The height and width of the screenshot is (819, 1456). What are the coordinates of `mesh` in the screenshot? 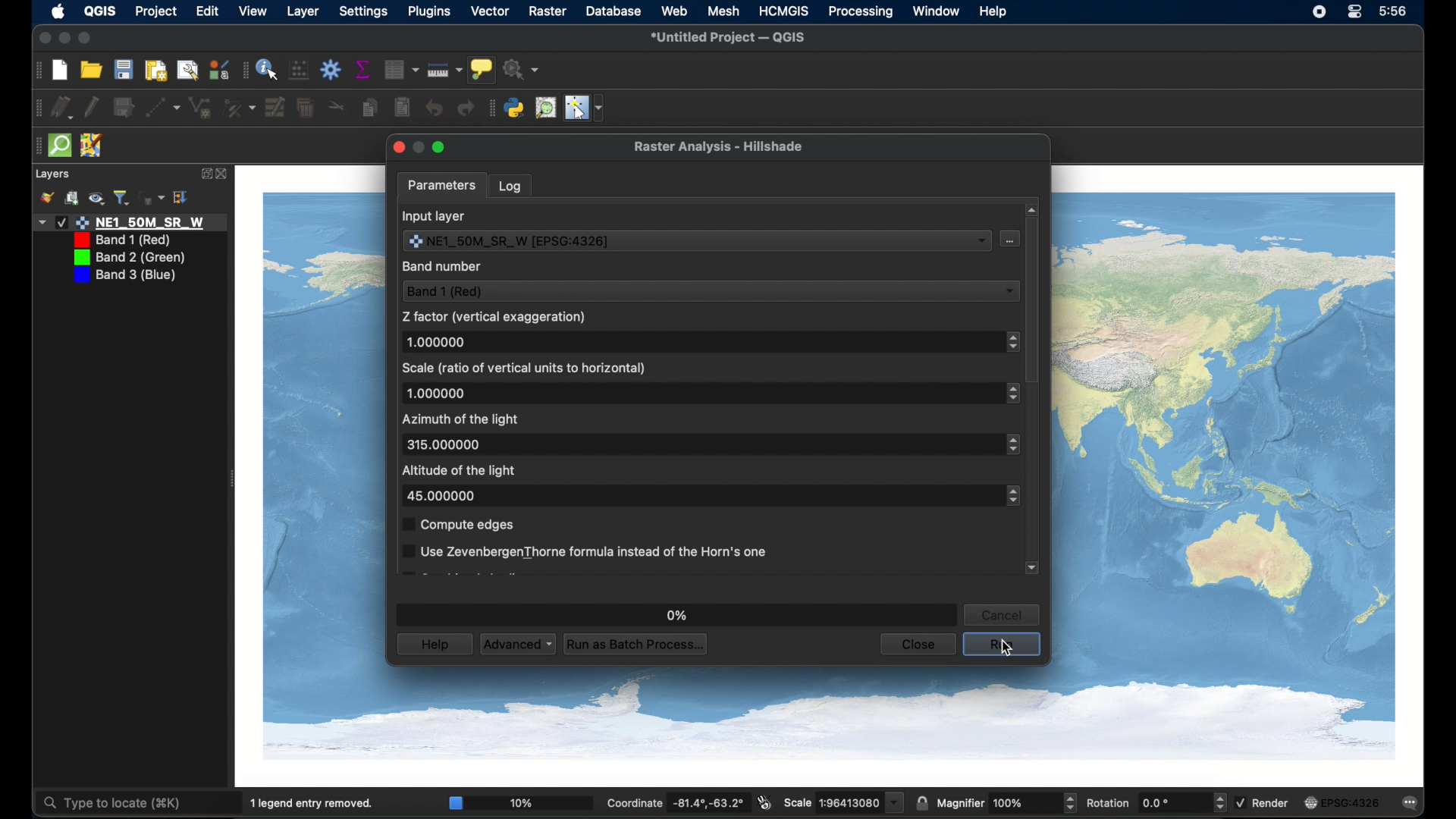 It's located at (723, 11).